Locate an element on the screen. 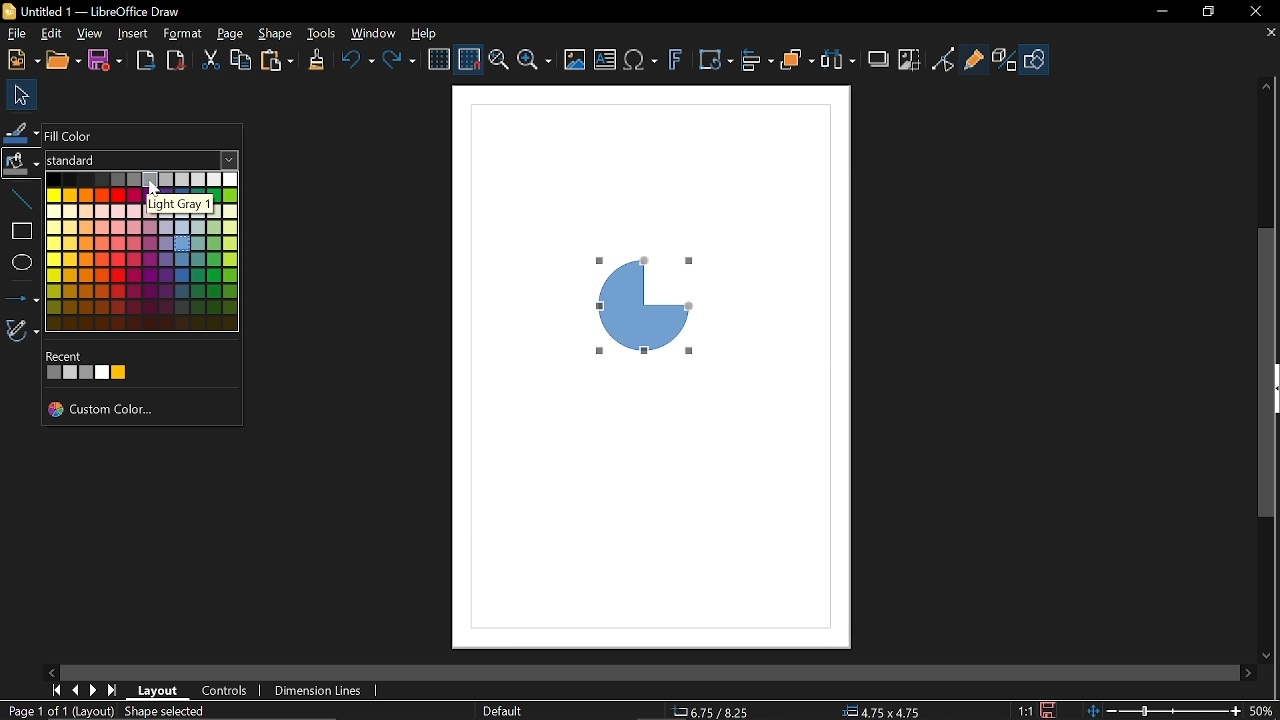 The image size is (1280, 720). Fill Color is located at coordinates (70, 137).